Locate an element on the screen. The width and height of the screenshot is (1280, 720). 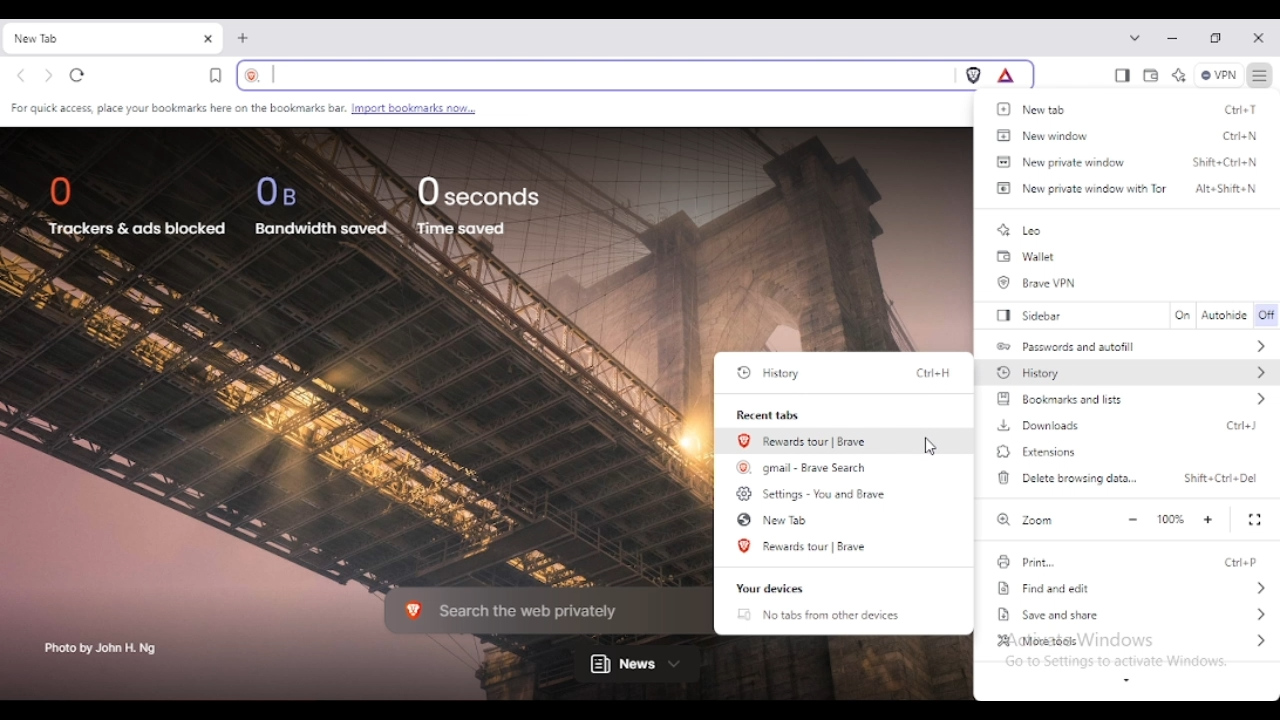
brave rewards panel is located at coordinates (1006, 75).